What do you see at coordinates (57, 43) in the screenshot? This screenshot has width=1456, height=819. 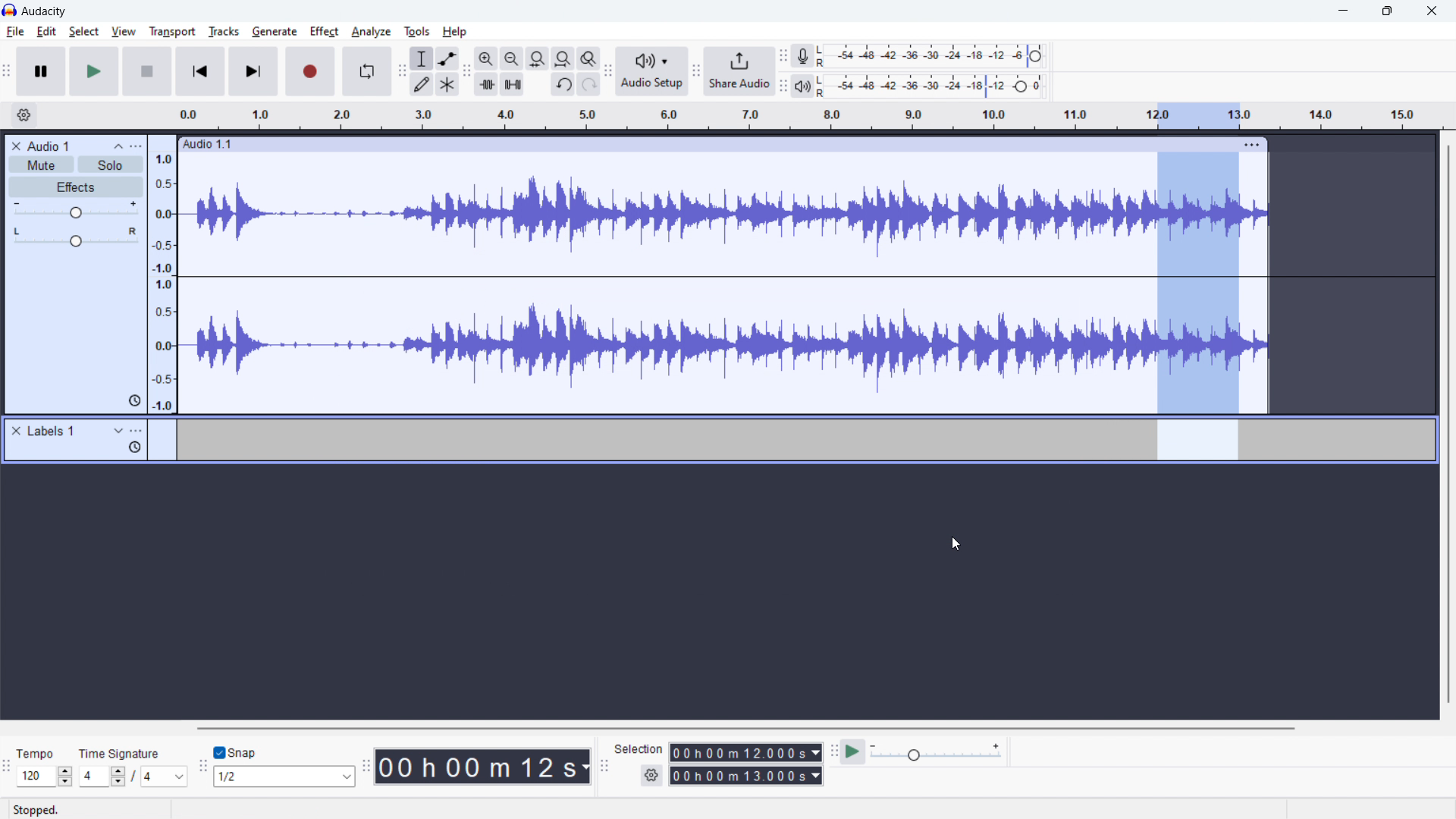 I see `cursor` at bounding box center [57, 43].